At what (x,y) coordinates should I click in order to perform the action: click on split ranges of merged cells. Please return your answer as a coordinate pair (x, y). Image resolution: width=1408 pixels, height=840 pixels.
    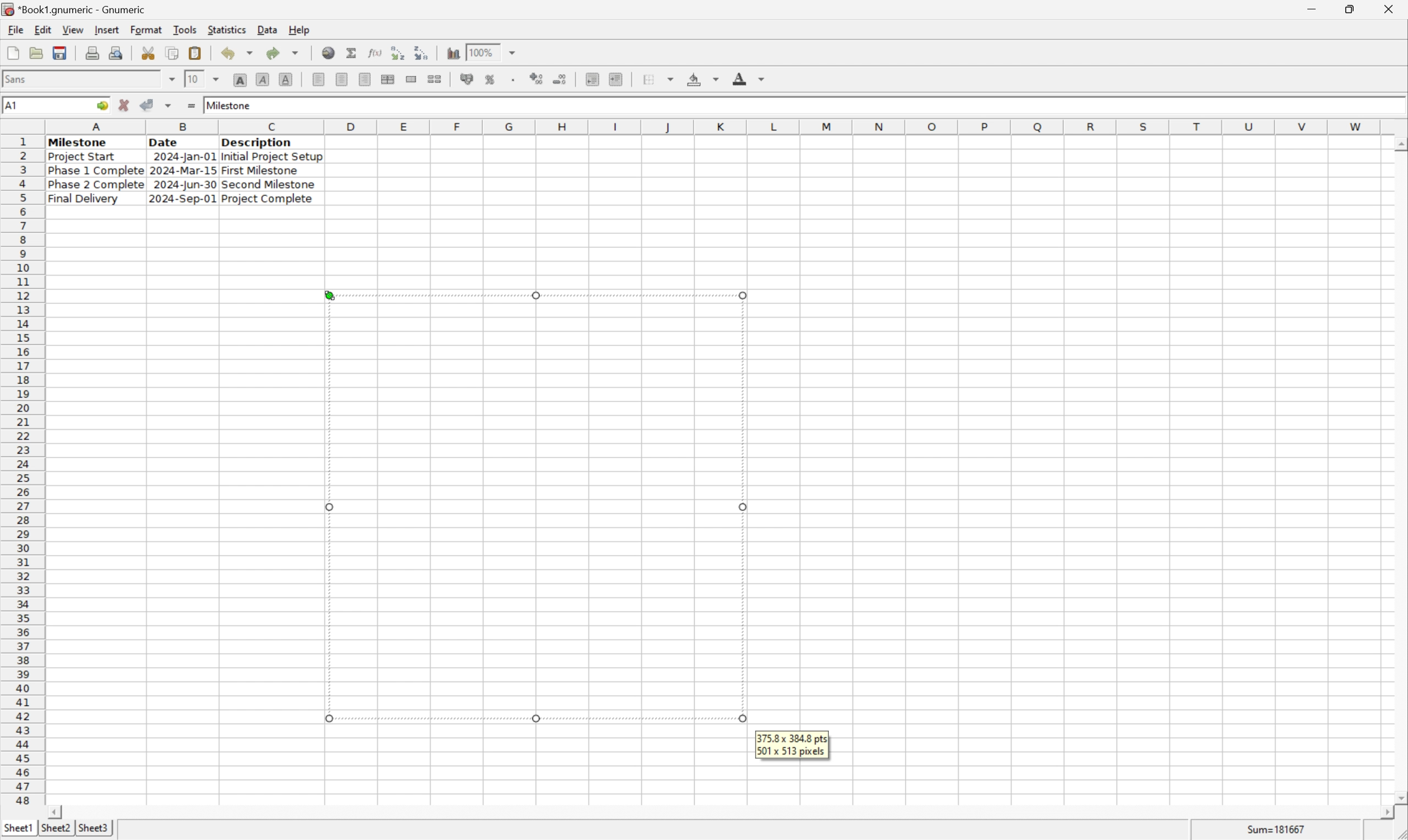
    Looking at the image, I should click on (435, 79).